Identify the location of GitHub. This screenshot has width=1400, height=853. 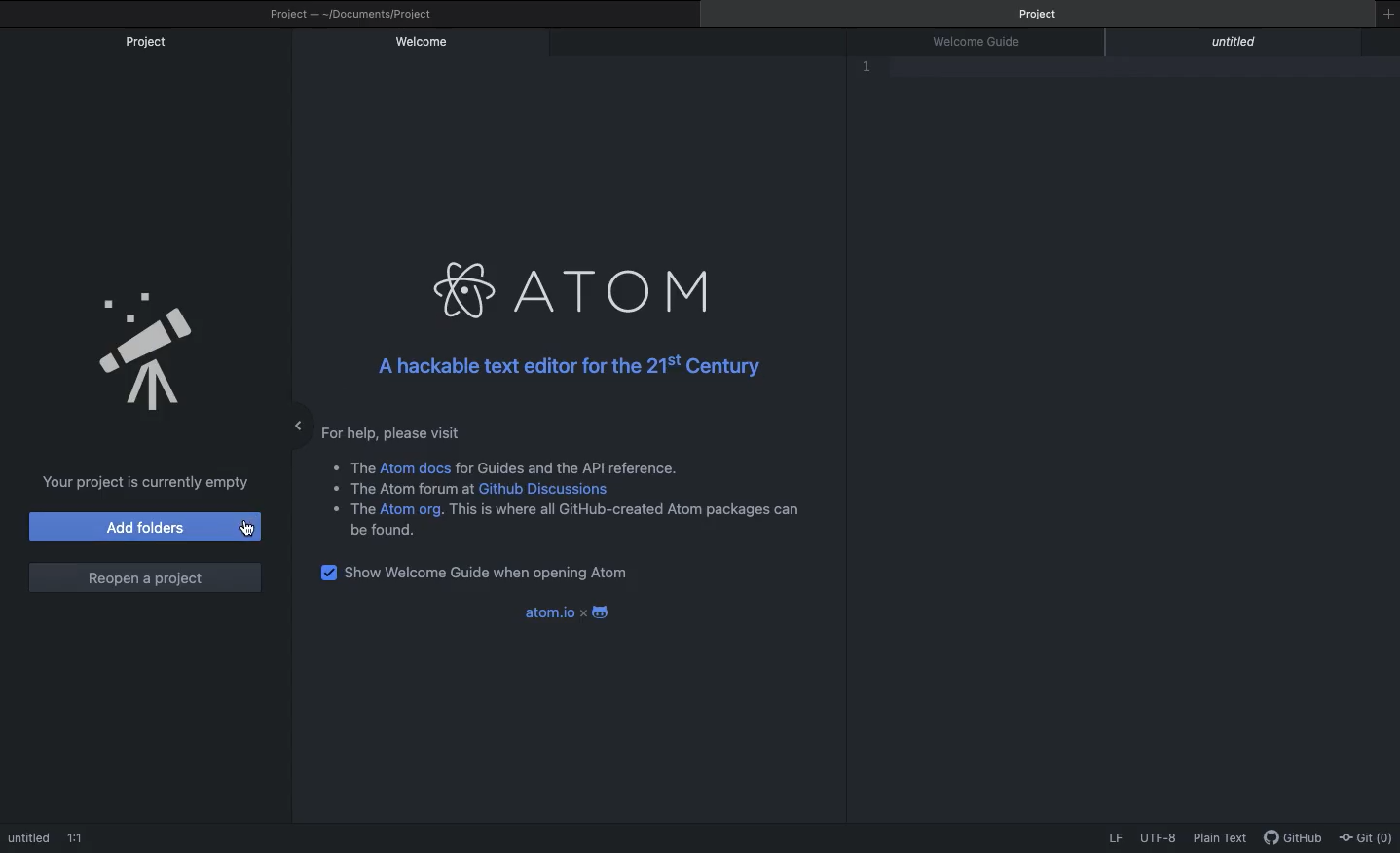
(1294, 840).